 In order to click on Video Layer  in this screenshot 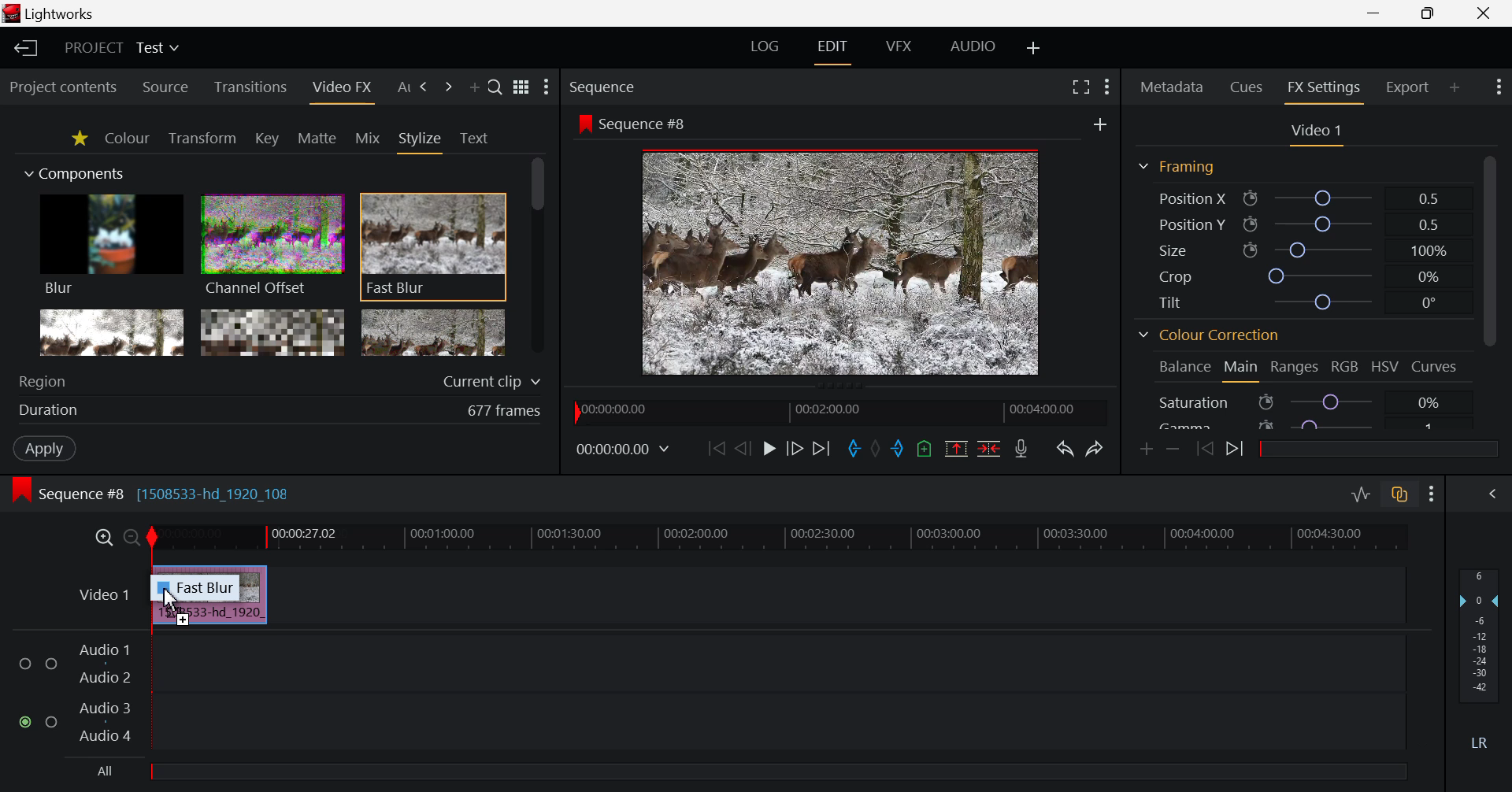, I will do `click(91, 593)`.